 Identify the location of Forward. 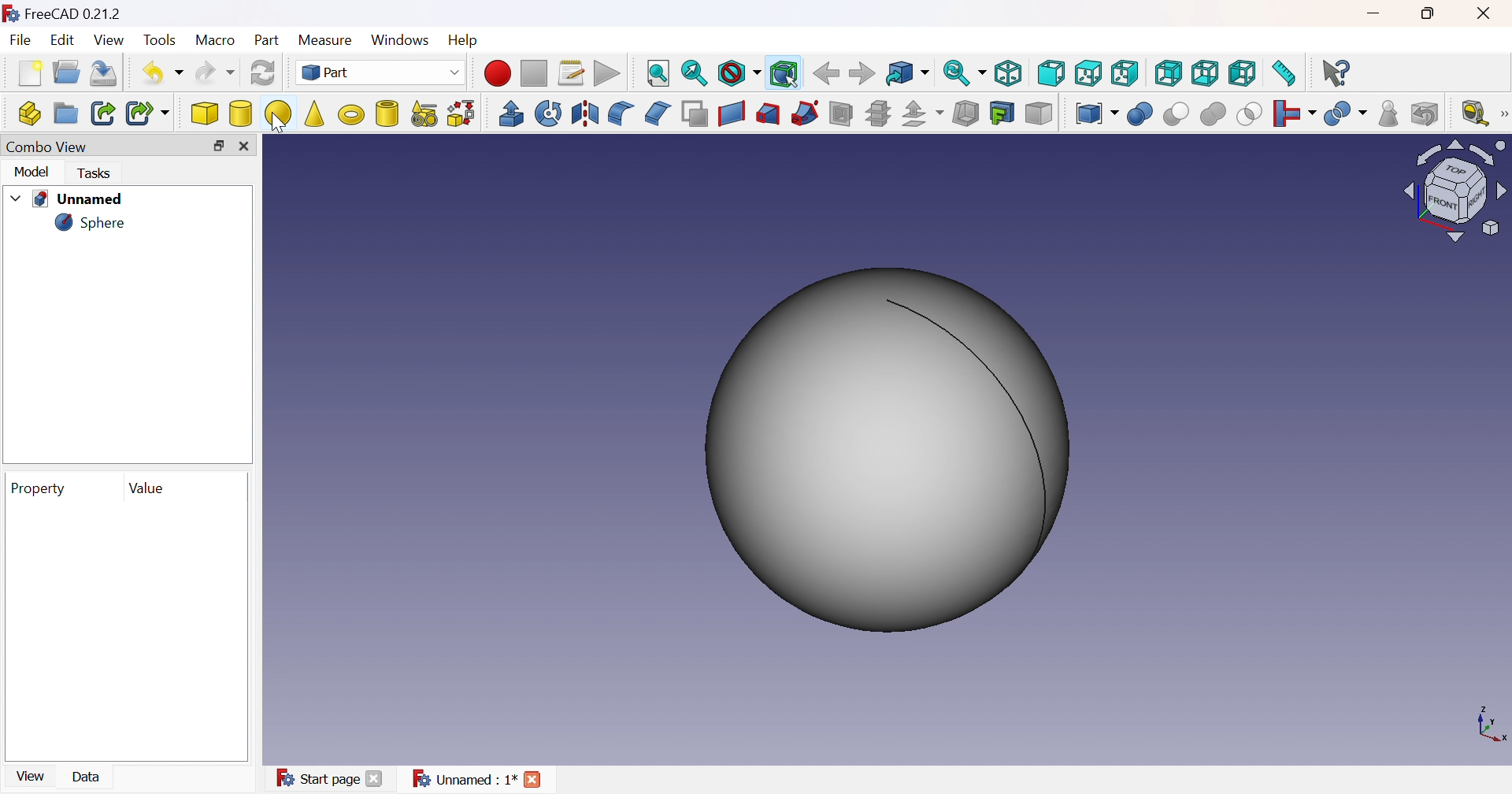
(862, 75).